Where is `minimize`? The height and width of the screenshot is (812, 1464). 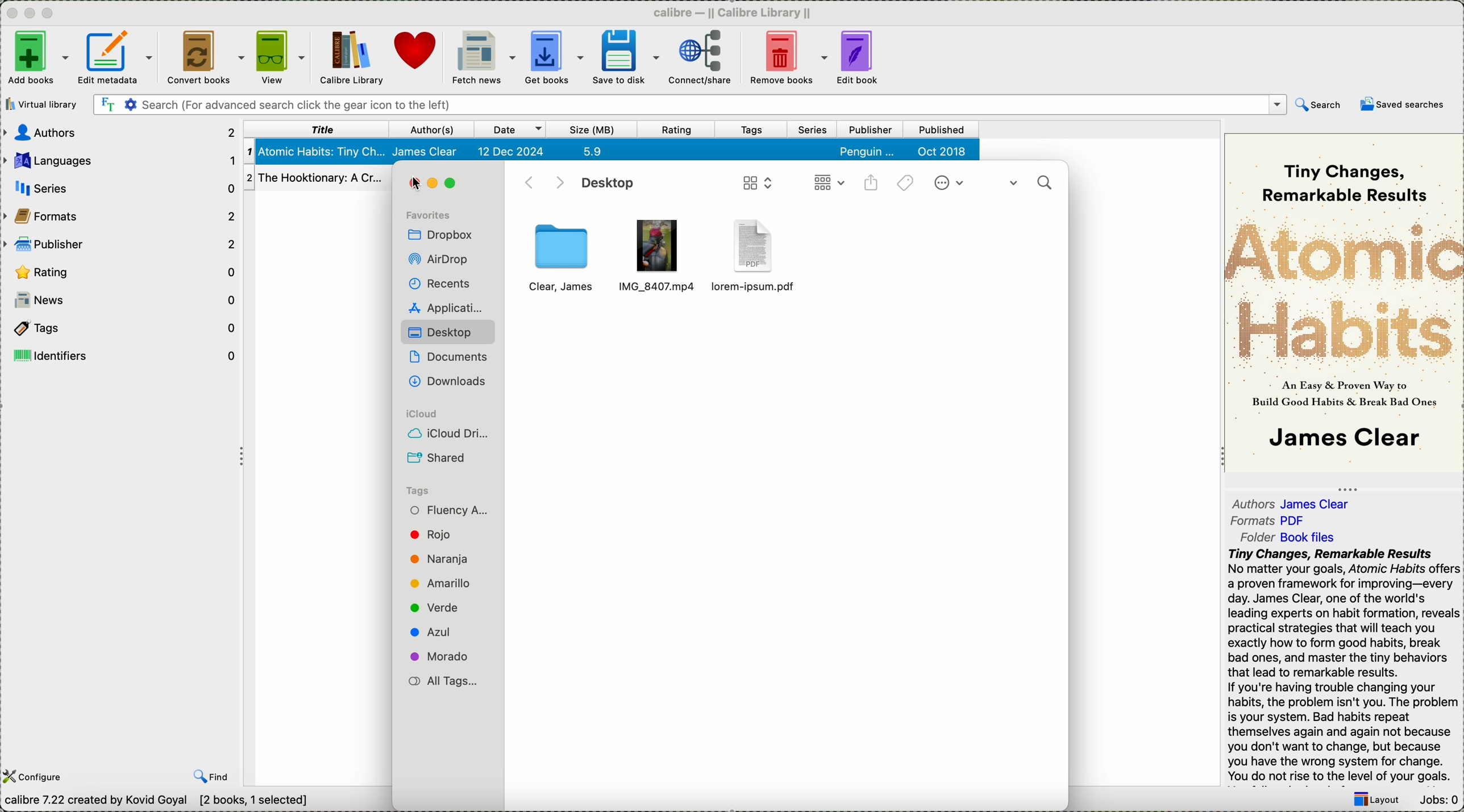
minimize is located at coordinates (30, 11).